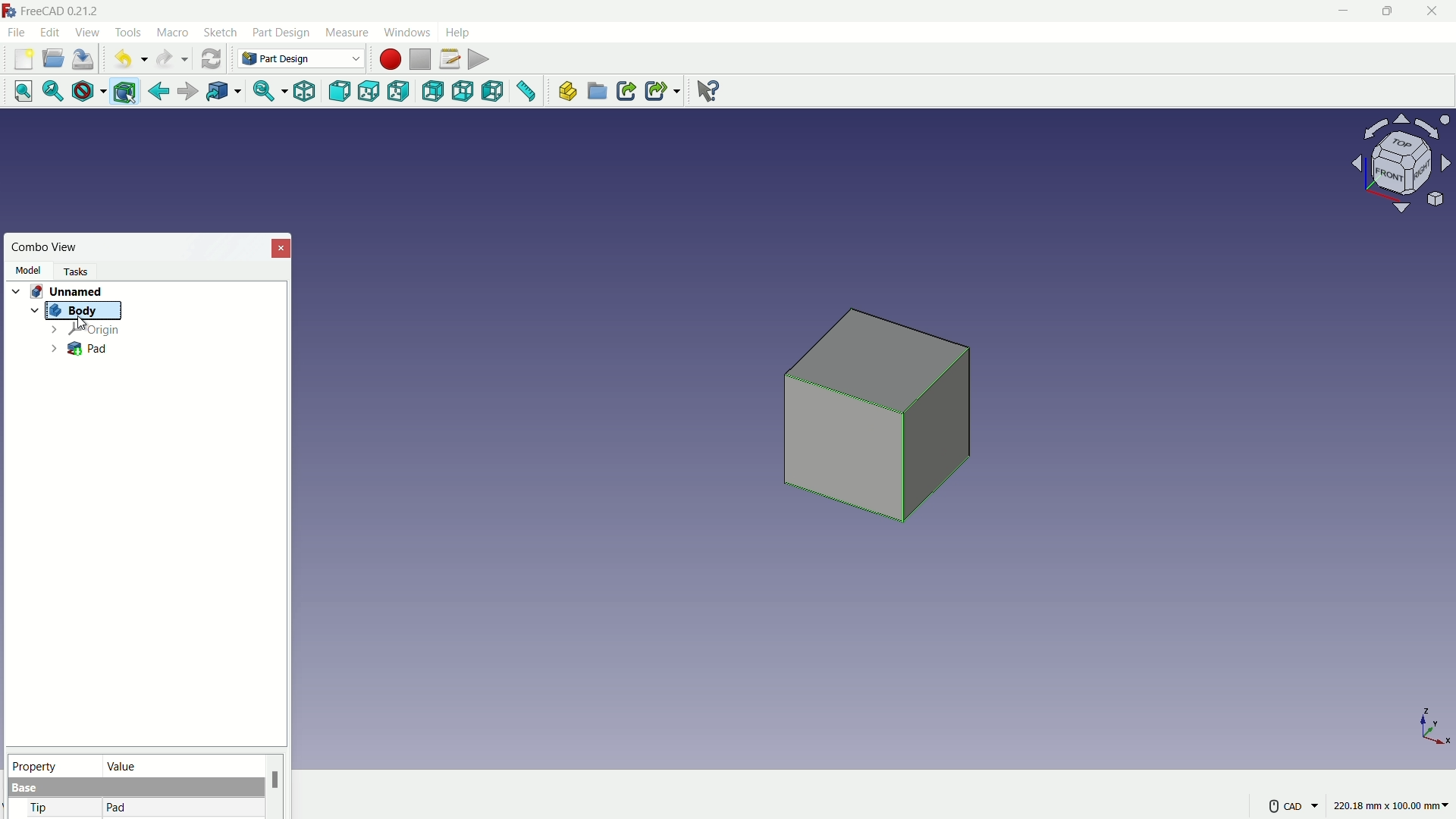 This screenshot has width=1456, height=819. I want to click on left view, so click(494, 93).